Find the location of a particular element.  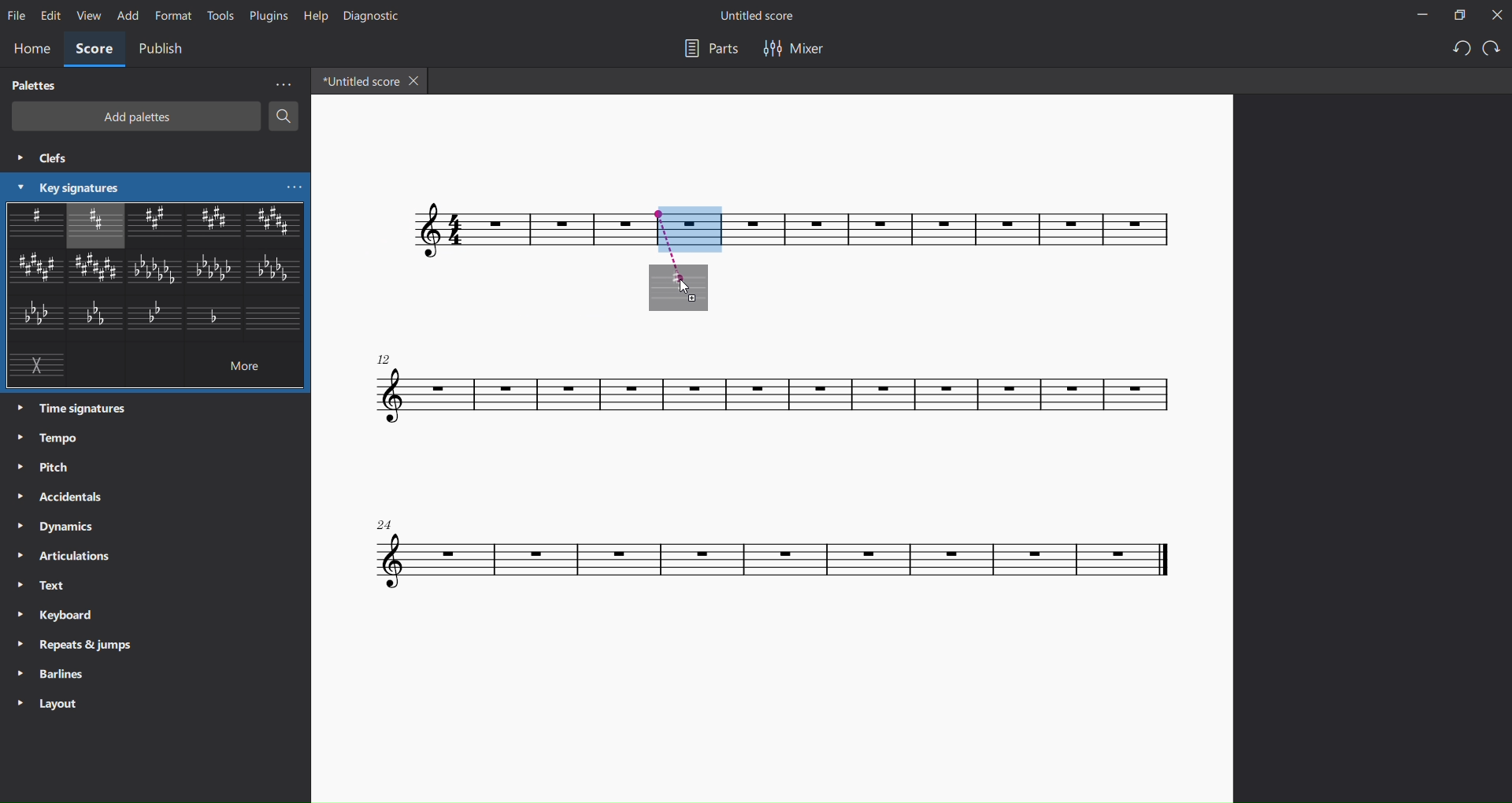

view is located at coordinates (88, 15).